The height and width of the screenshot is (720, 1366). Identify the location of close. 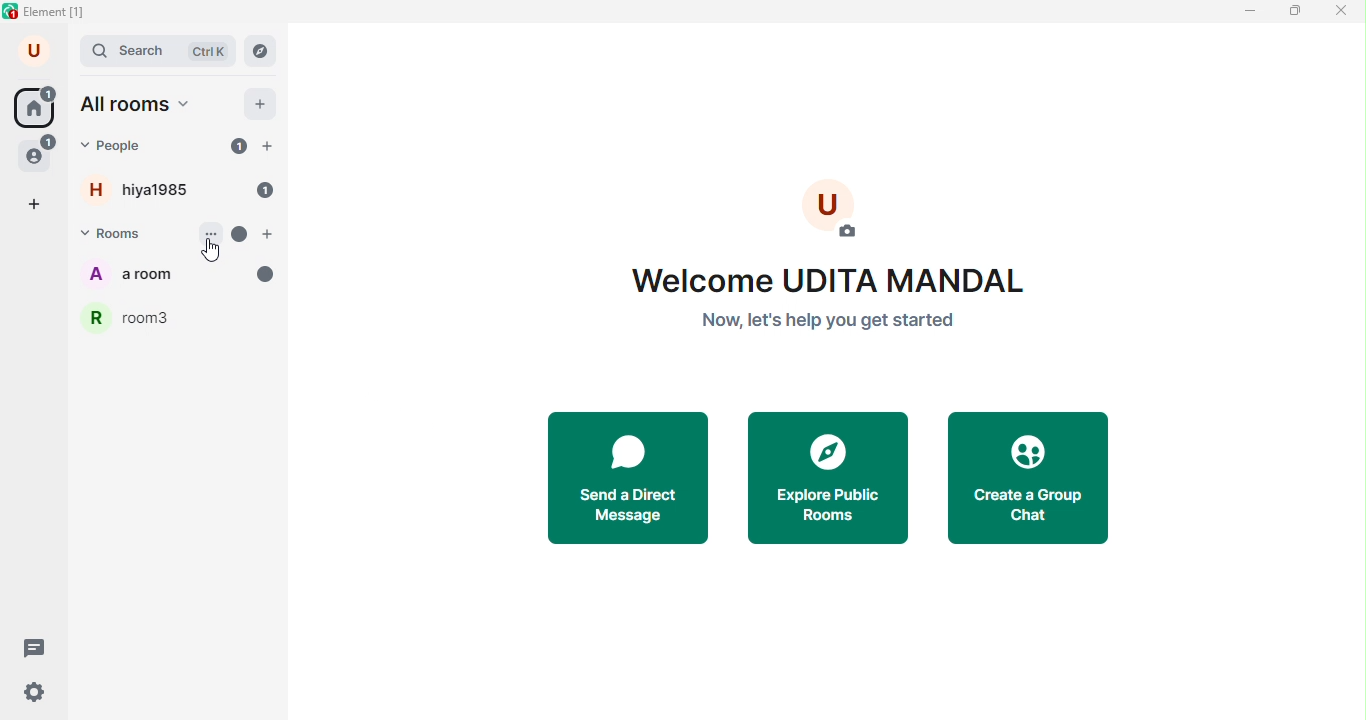
(1340, 12).